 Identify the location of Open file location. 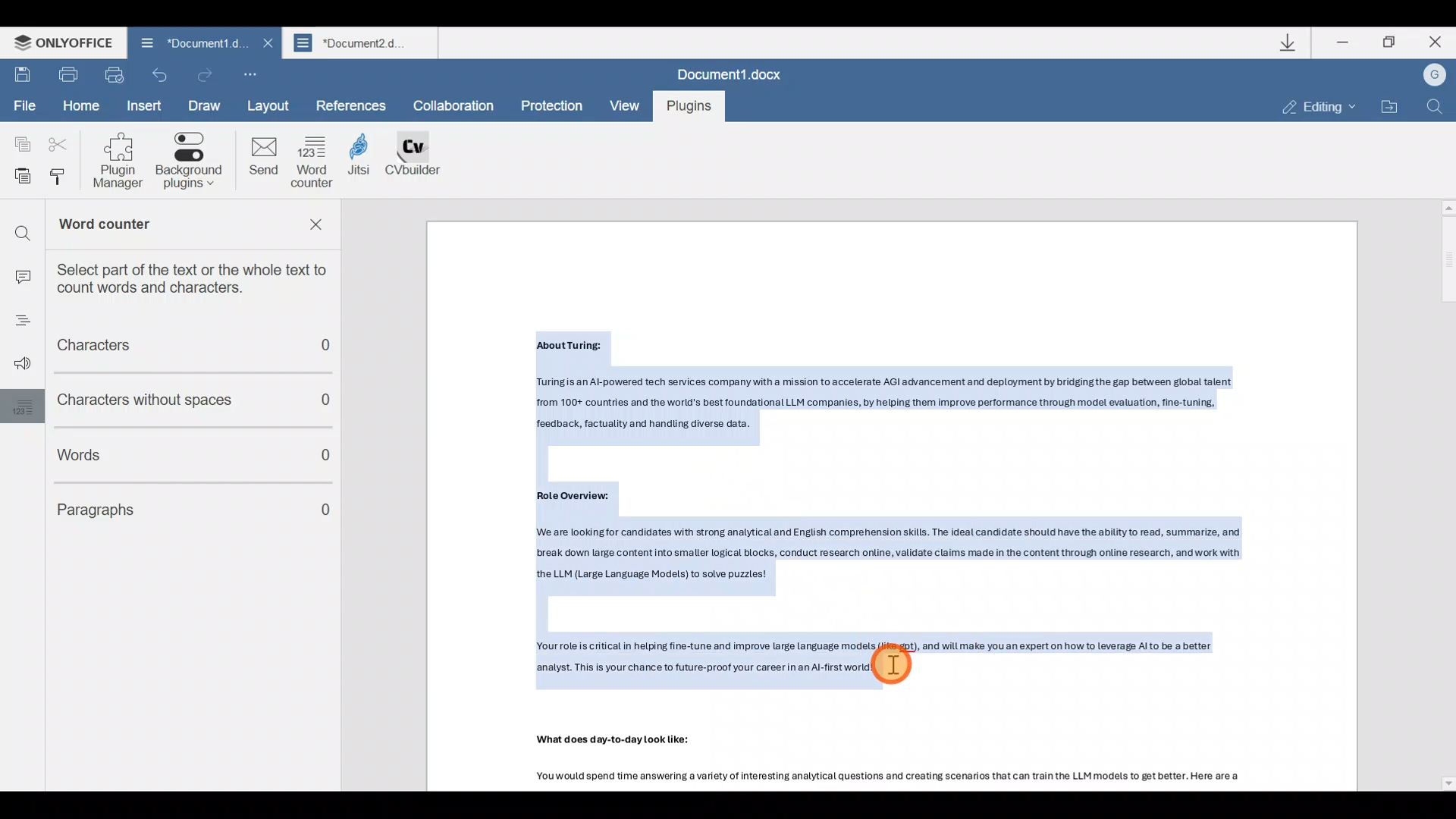
(1392, 105).